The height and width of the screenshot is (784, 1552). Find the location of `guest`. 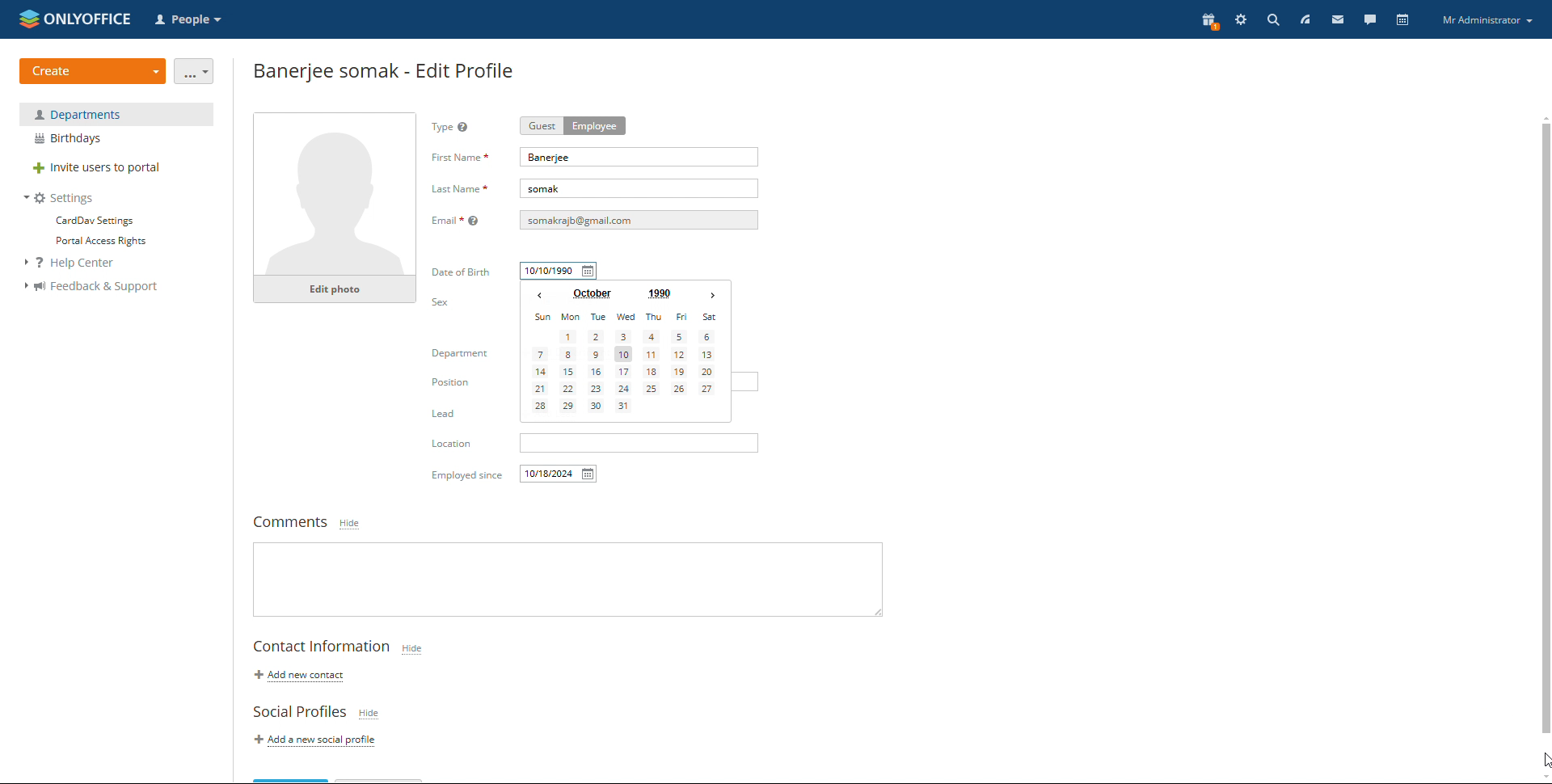

guest is located at coordinates (541, 126).